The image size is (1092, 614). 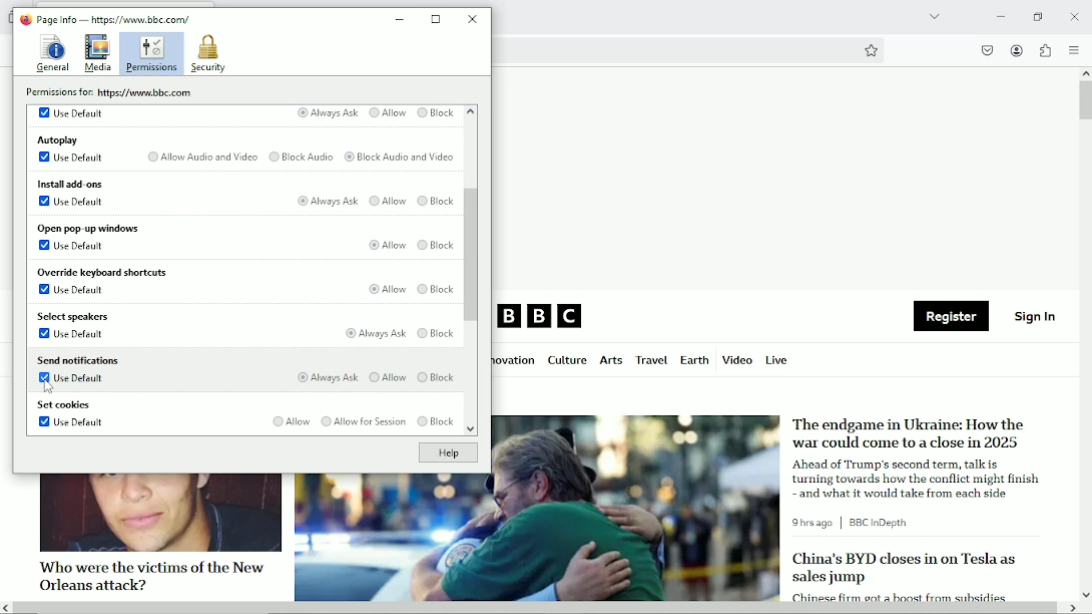 What do you see at coordinates (854, 523) in the screenshot?
I see `9 hrs ago | BBC in Depth` at bounding box center [854, 523].